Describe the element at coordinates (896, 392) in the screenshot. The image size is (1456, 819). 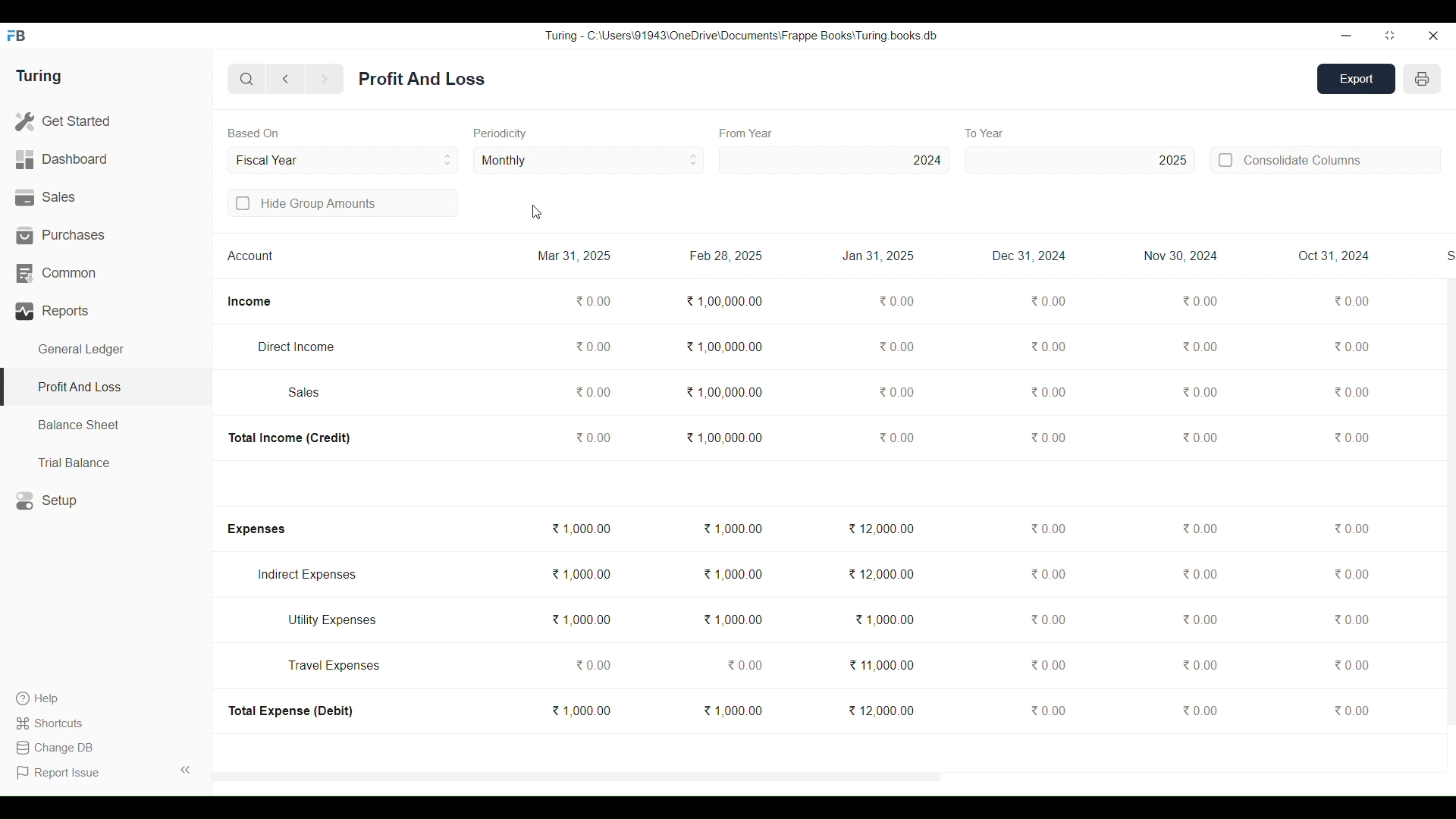
I see `0.00` at that location.